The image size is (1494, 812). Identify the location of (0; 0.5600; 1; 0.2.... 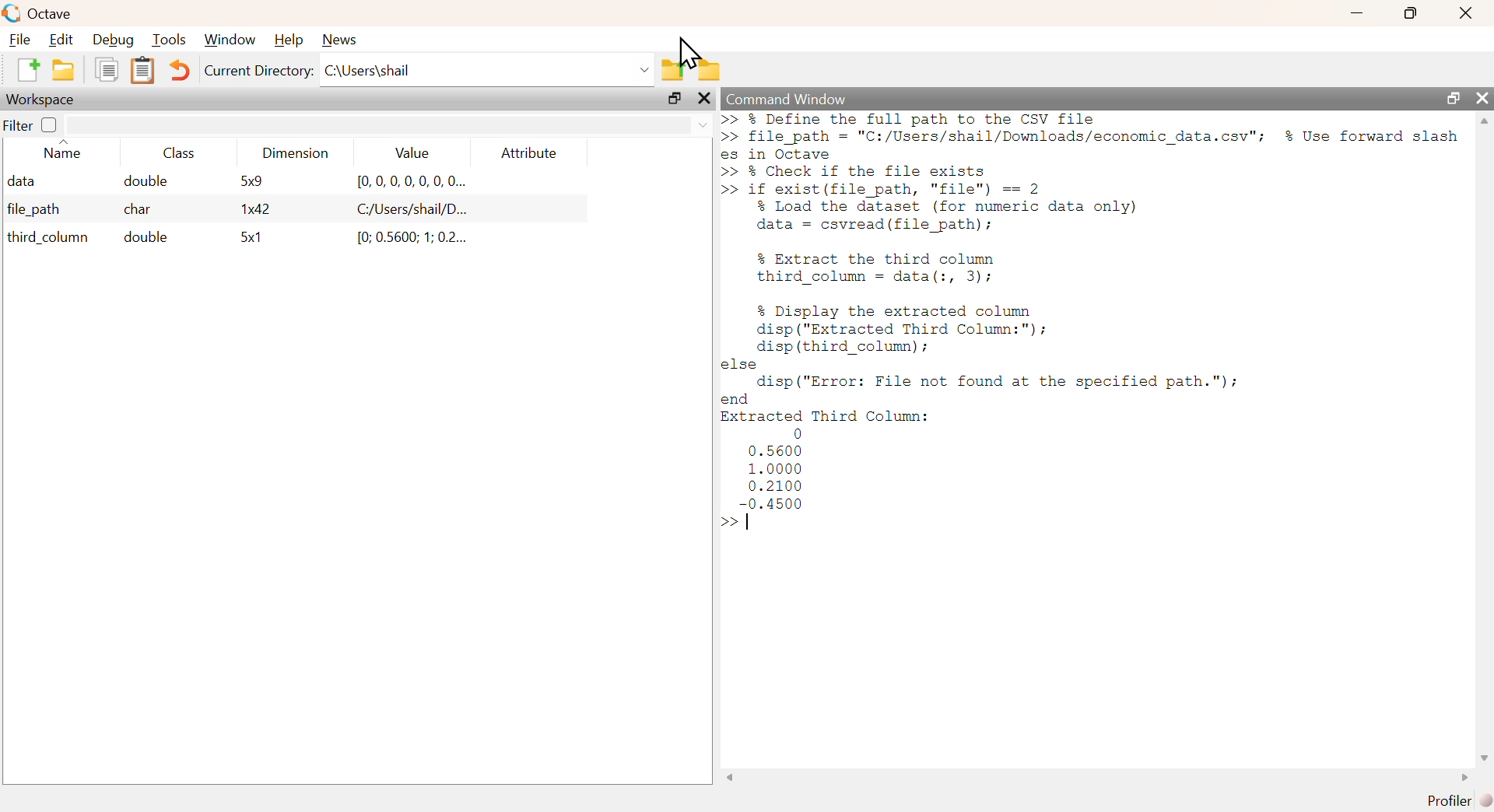
(405, 239).